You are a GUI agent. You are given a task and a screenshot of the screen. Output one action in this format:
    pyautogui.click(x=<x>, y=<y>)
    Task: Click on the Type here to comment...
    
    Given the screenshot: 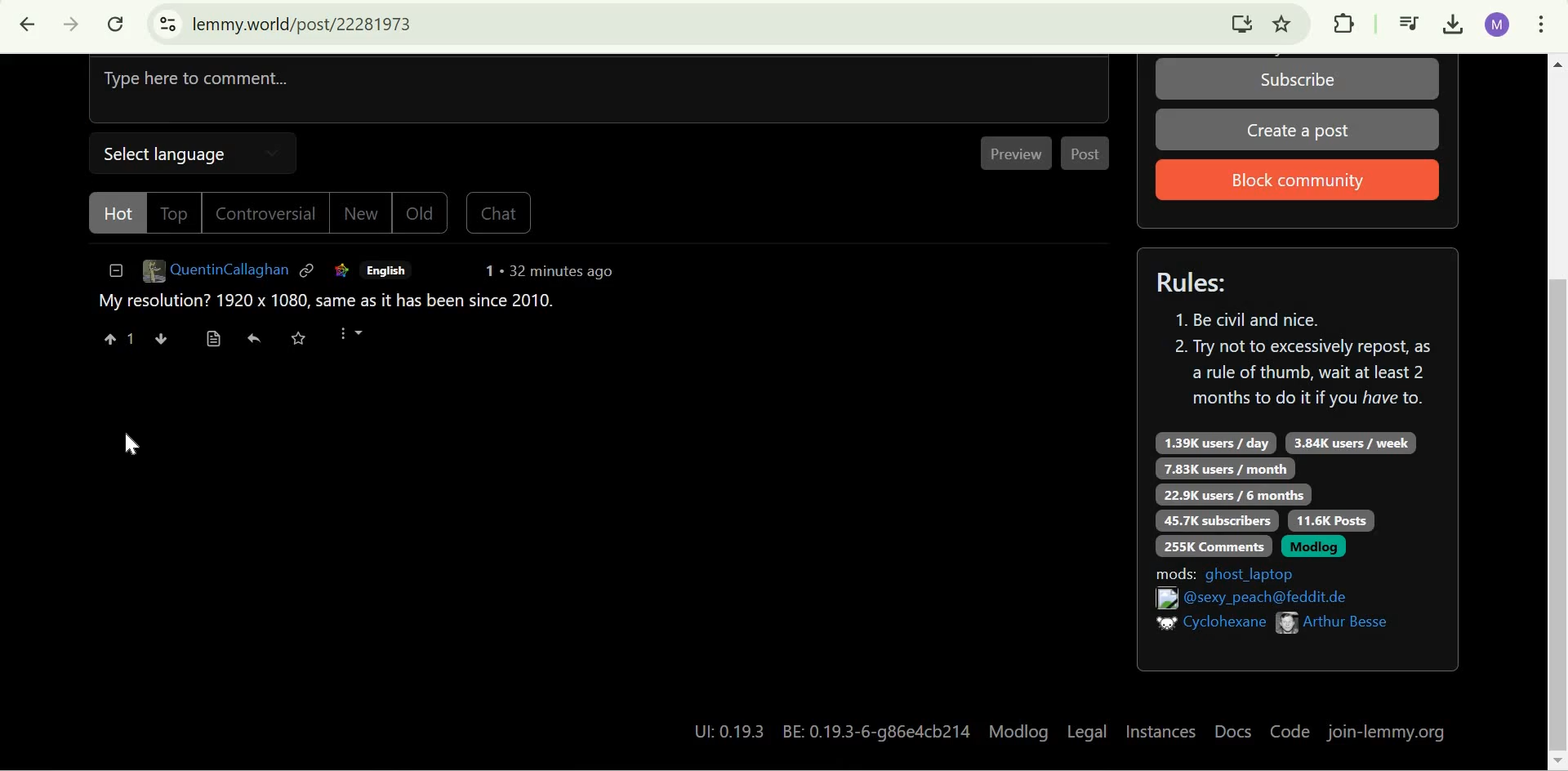 What is the action you would take?
    pyautogui.click(x=599, y=92)
    